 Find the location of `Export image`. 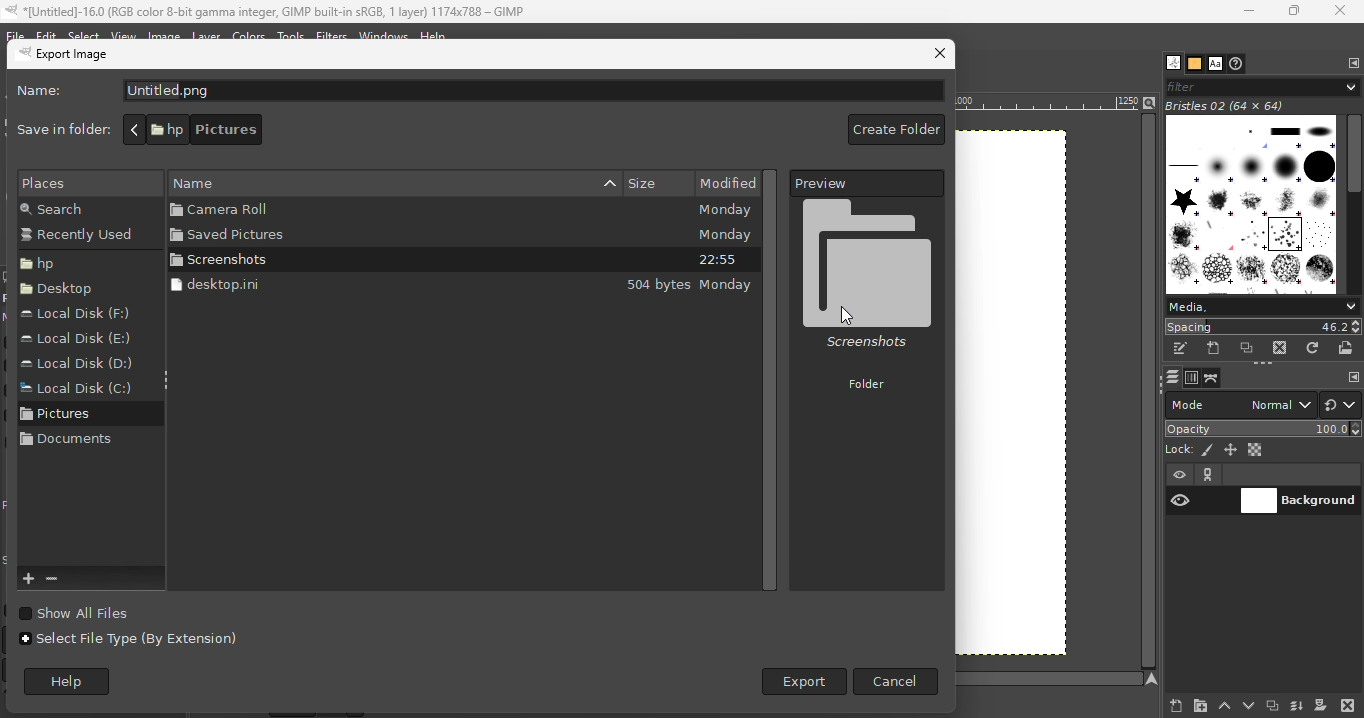

Export image is located at coordinates (95, 57).